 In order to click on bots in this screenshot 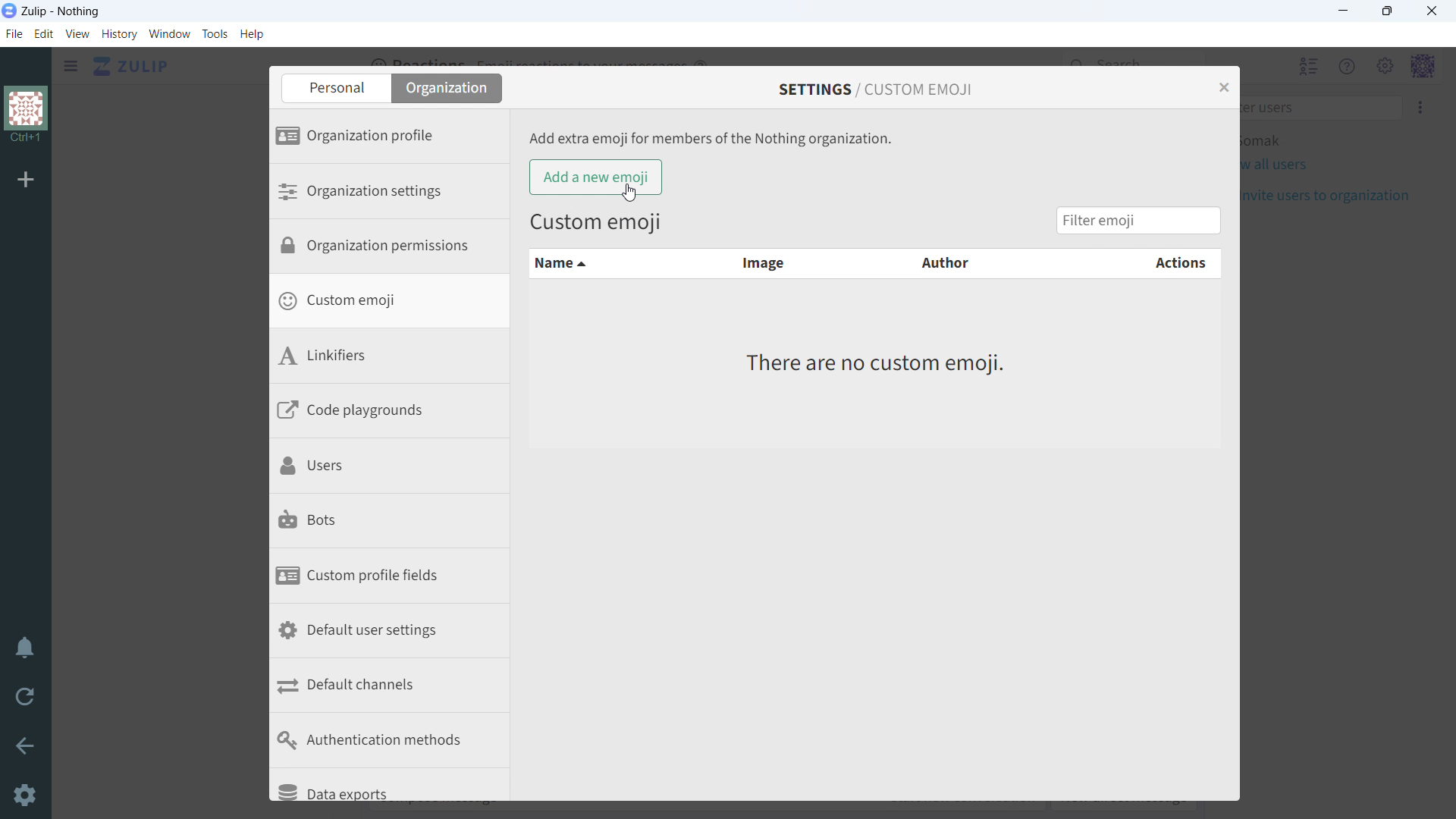, I will do `click(390, 522)`.